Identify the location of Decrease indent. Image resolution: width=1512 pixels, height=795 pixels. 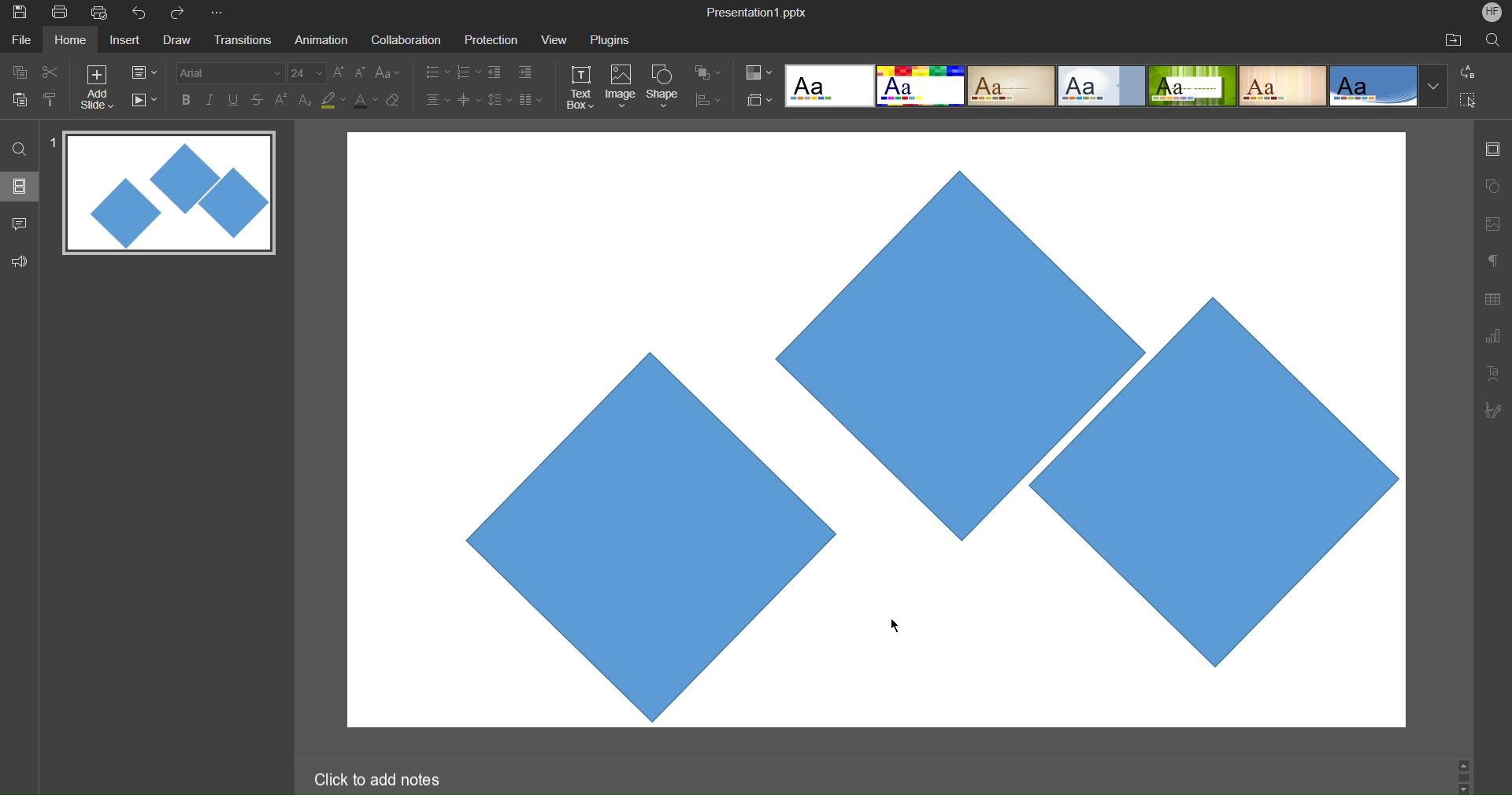
(498, 74).